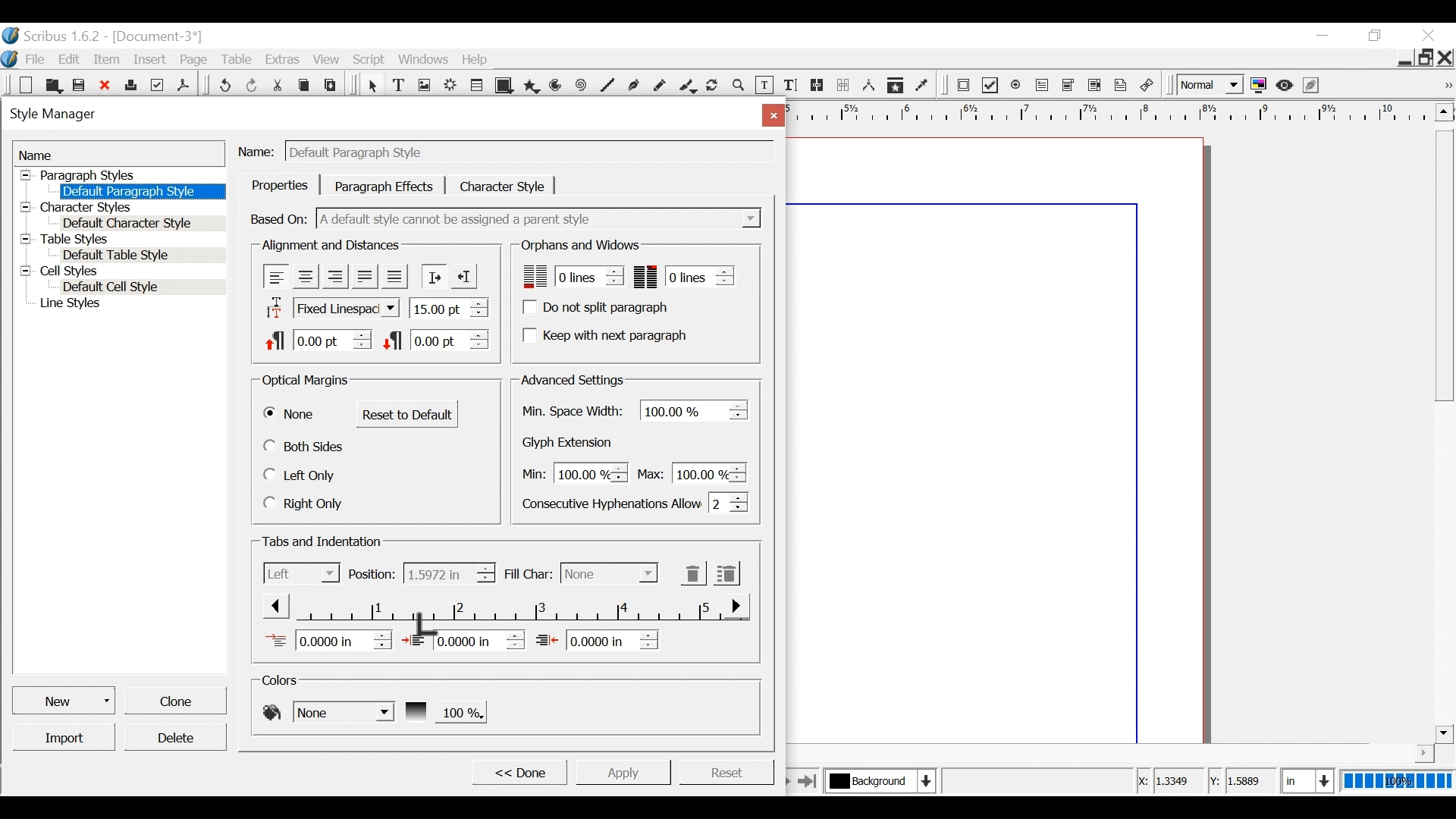 This screenshot has width=1456, height=819. What do you see at coordinates (868, 86) in the screenshot?
I see `Measurements` at bounding box center [868, 86].